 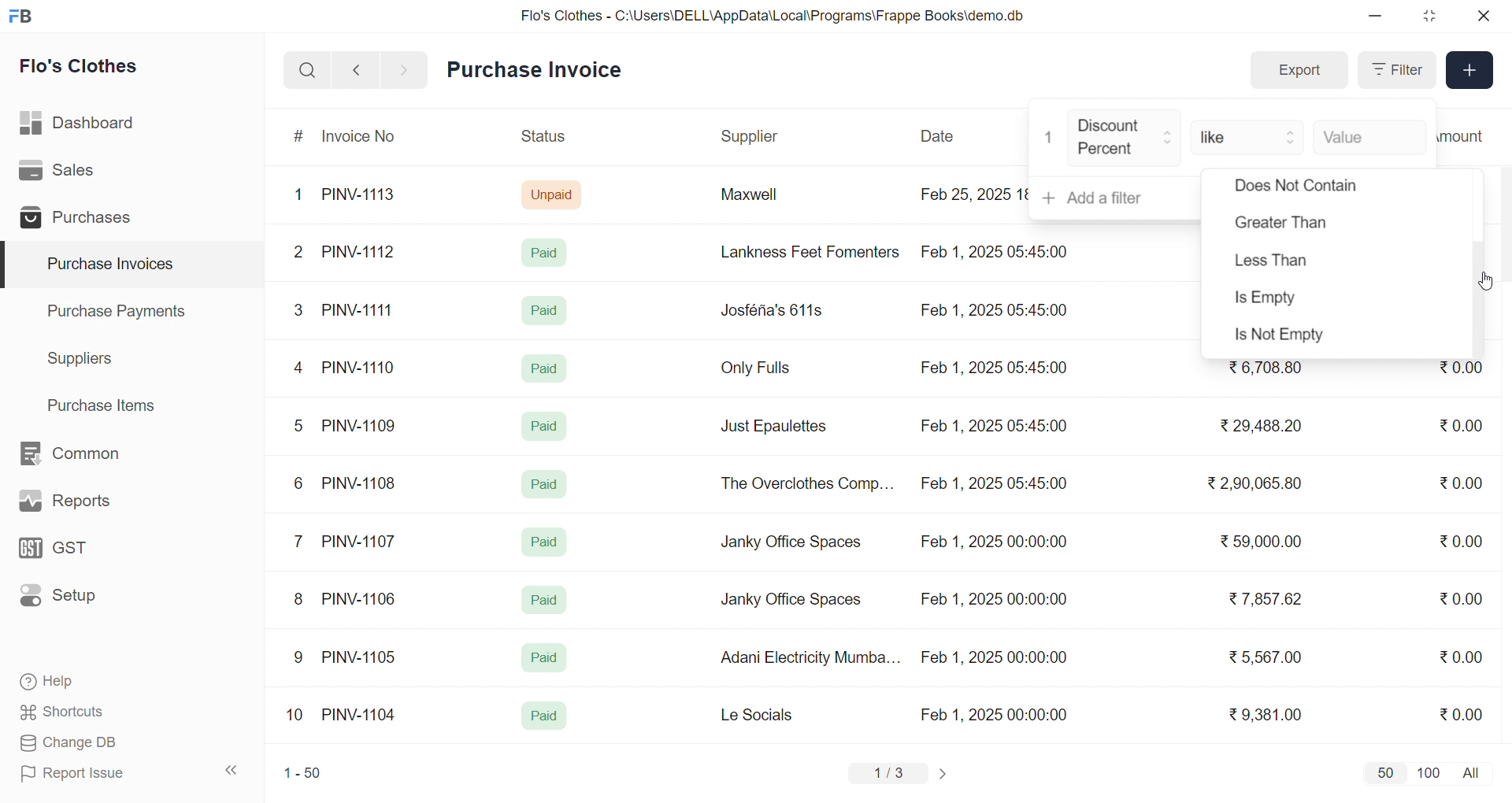 I want to click on 3, so click(x=298, y=309).